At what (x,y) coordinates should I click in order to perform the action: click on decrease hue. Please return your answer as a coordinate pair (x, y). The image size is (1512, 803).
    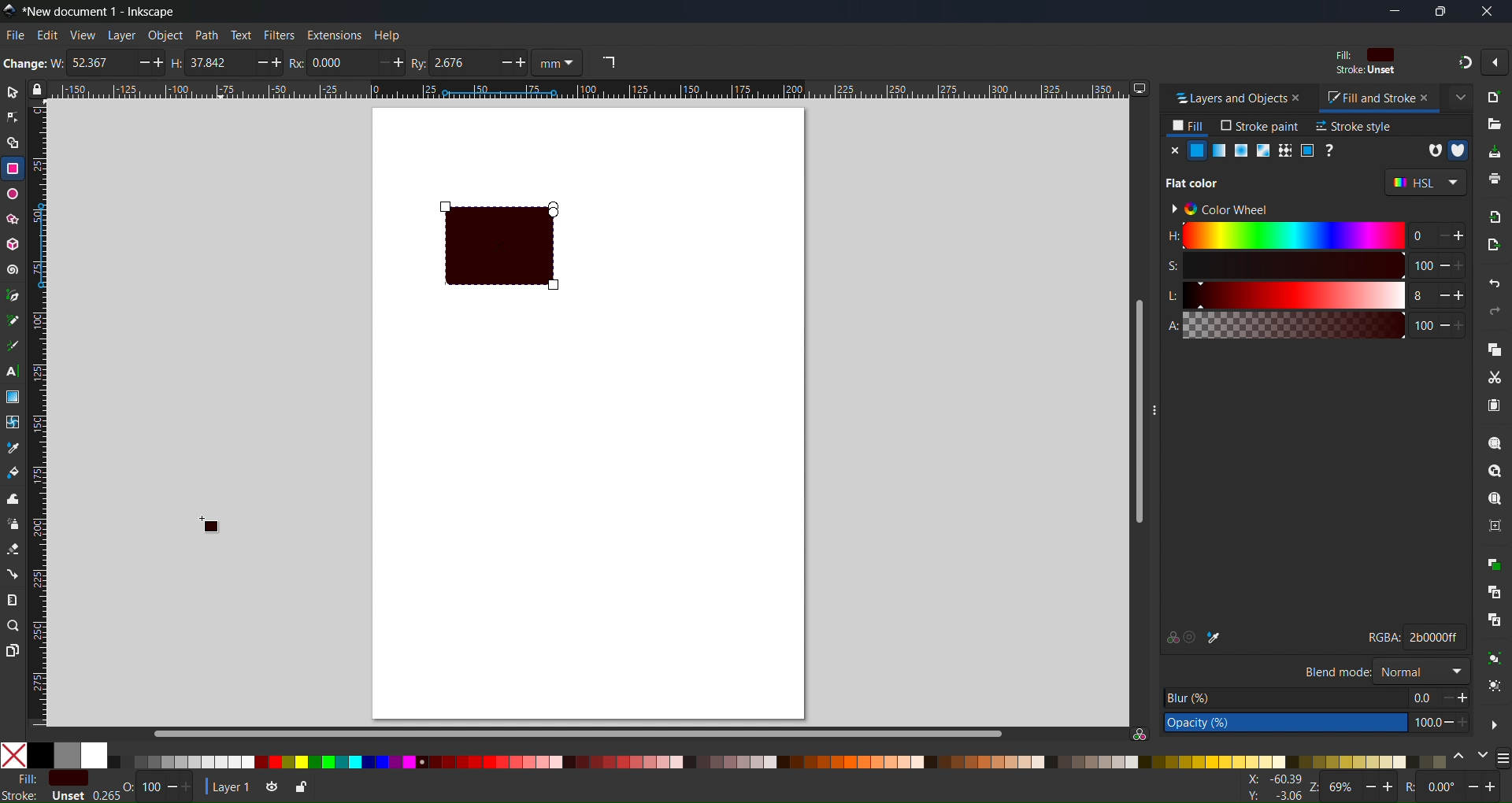
    Looking at the image, I should click on (1461, 237).